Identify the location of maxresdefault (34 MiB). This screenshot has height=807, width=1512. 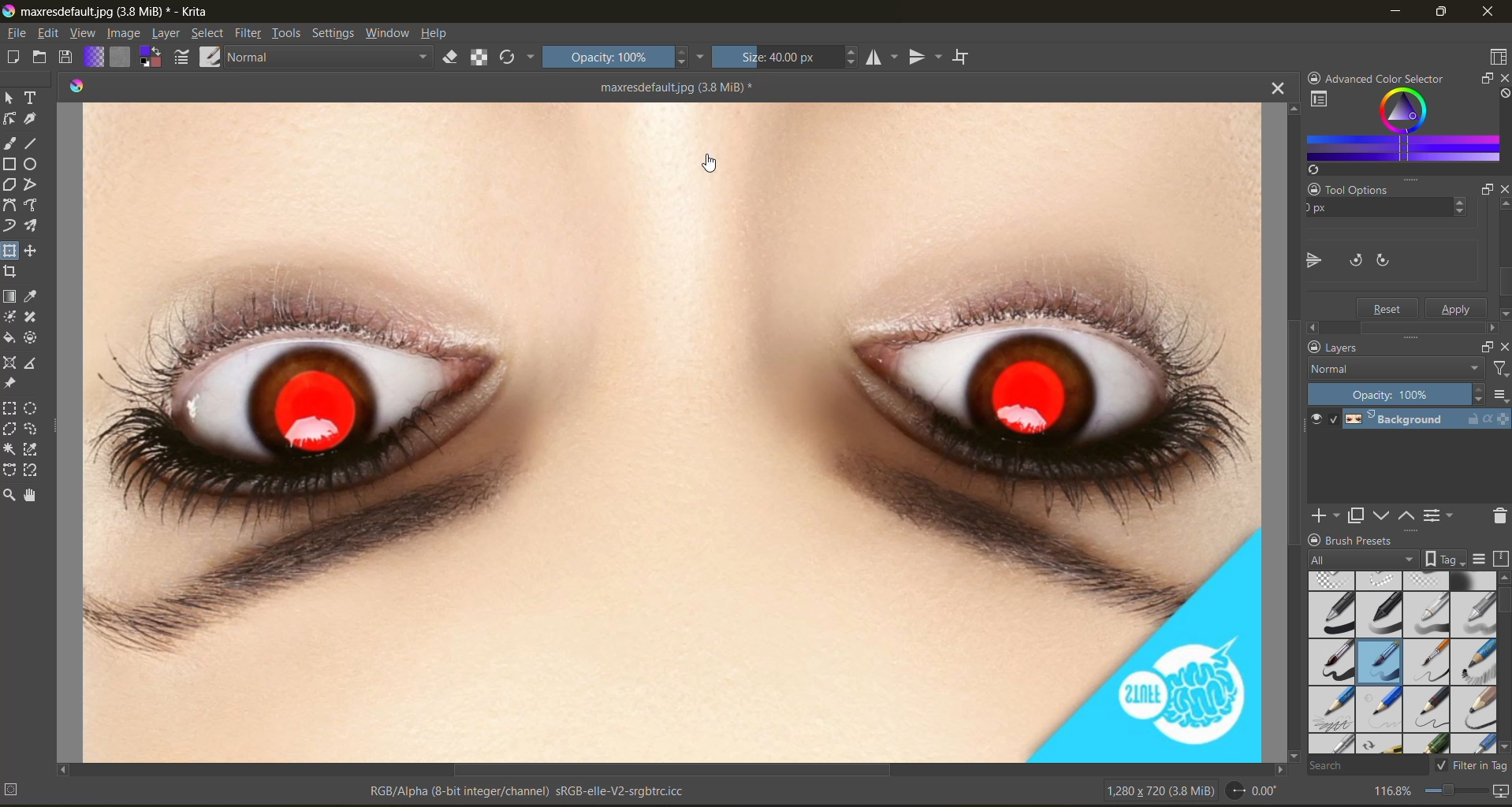
(677, 86).